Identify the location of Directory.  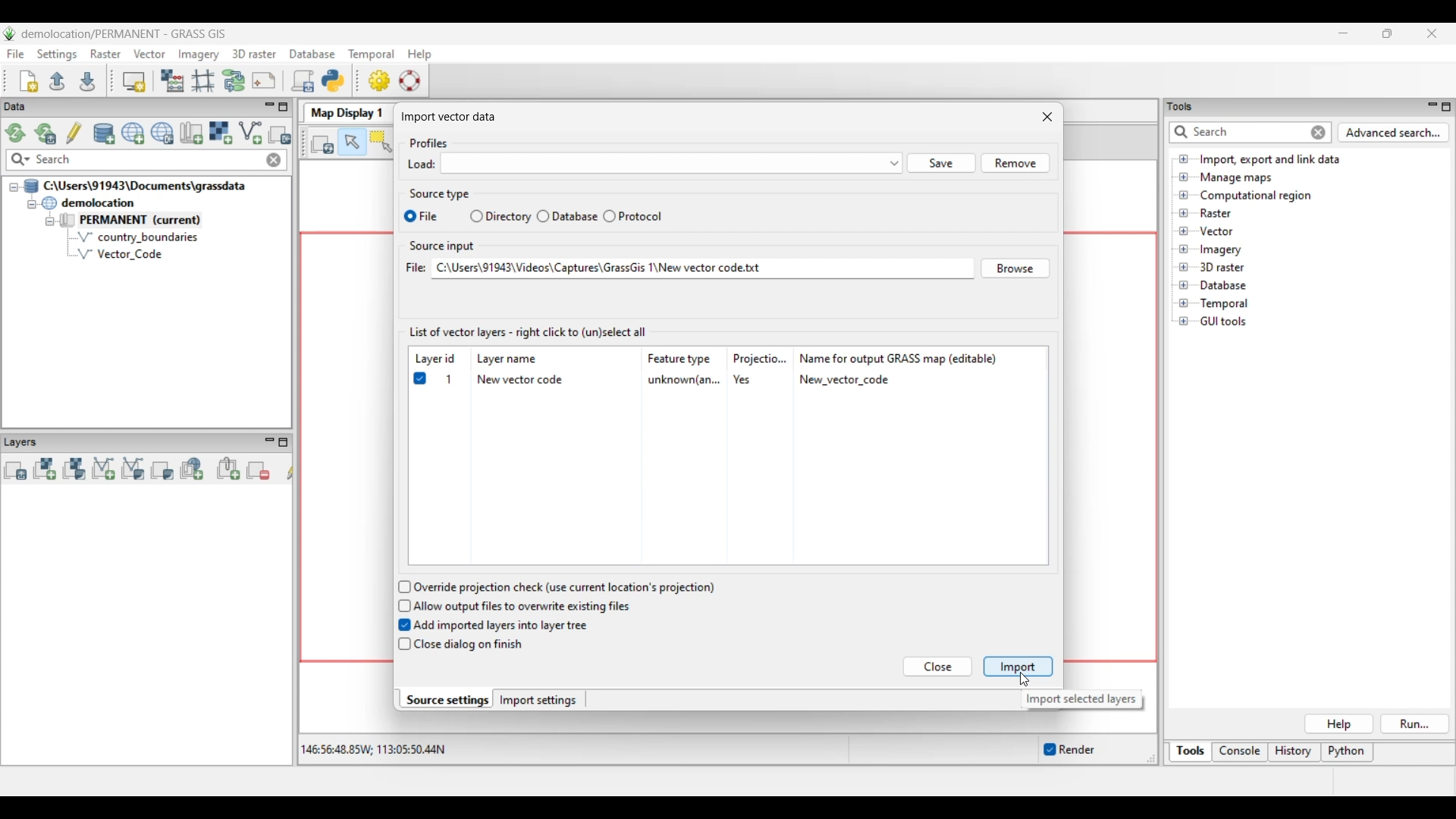
(500, 216).